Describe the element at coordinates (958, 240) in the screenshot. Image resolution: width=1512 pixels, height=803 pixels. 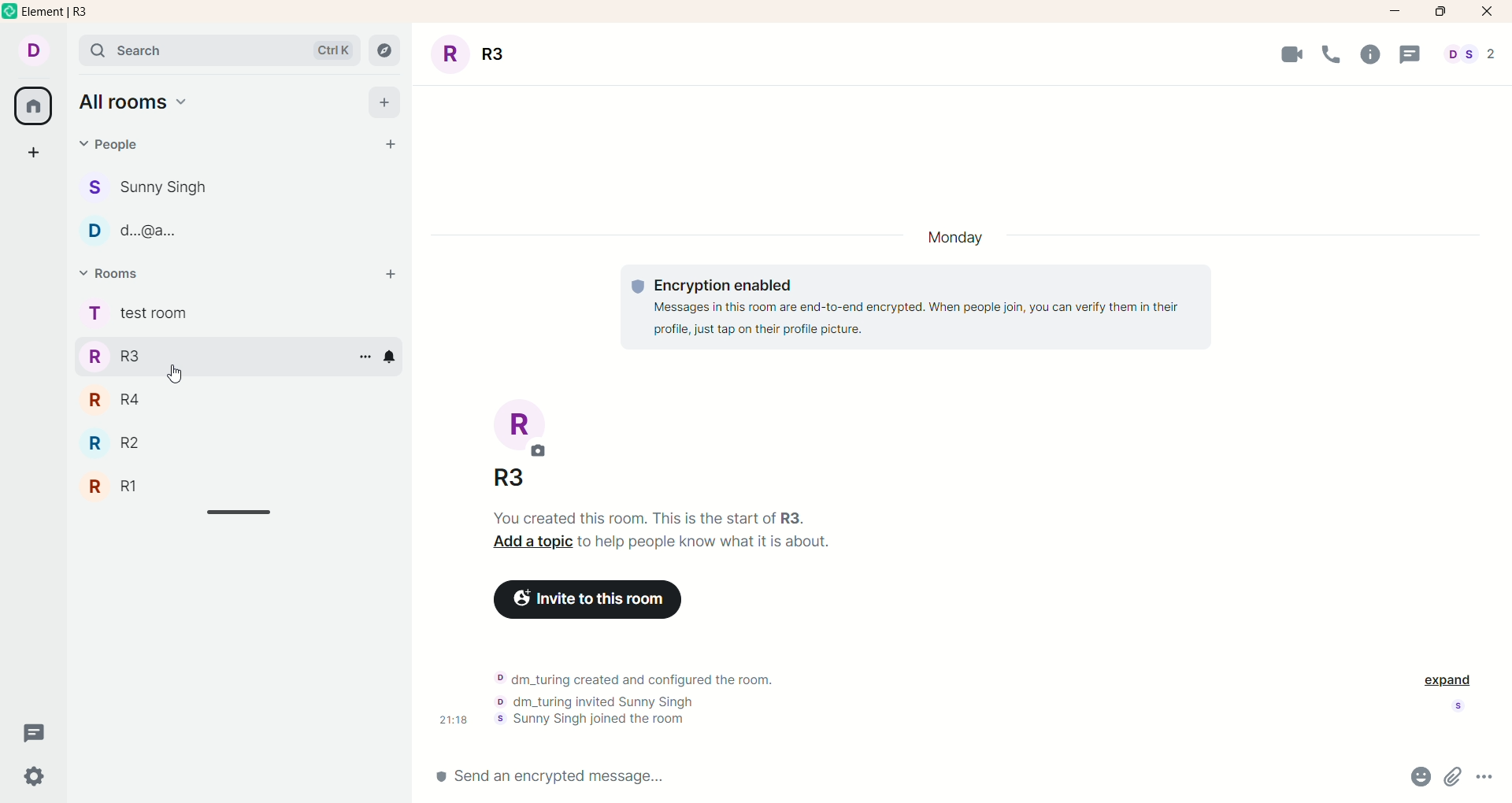
I see `ay` at that location.